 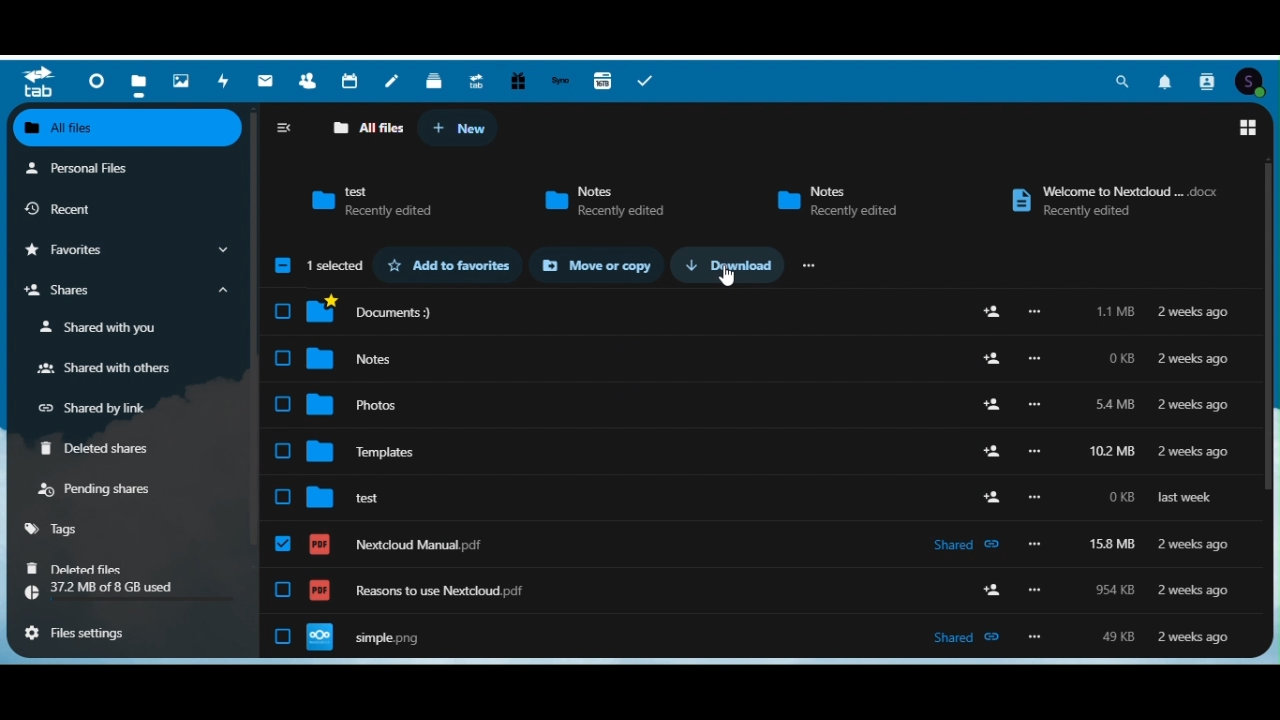 I want to click on Vertical scrollbar, so click(x=253, y=329).